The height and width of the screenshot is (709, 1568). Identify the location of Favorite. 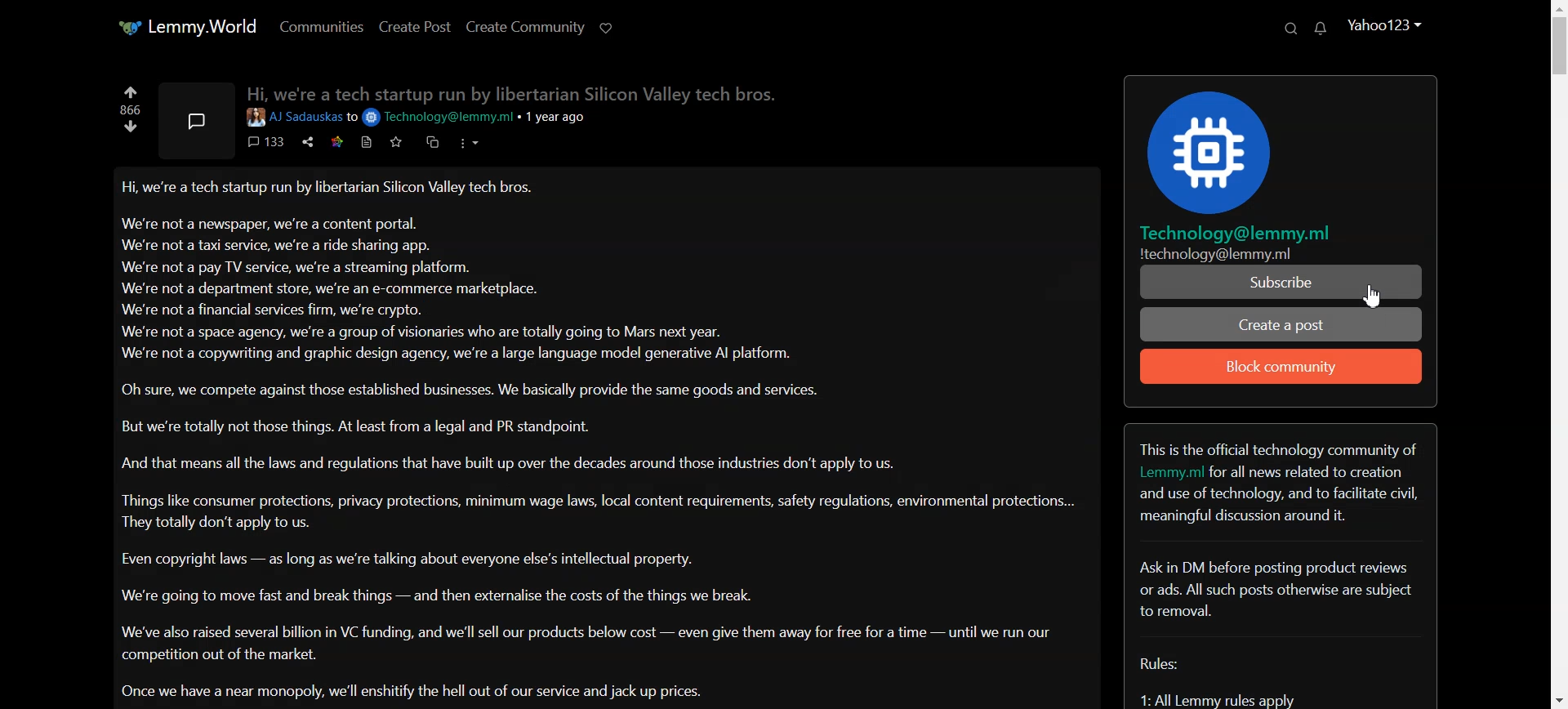
(397, 143).